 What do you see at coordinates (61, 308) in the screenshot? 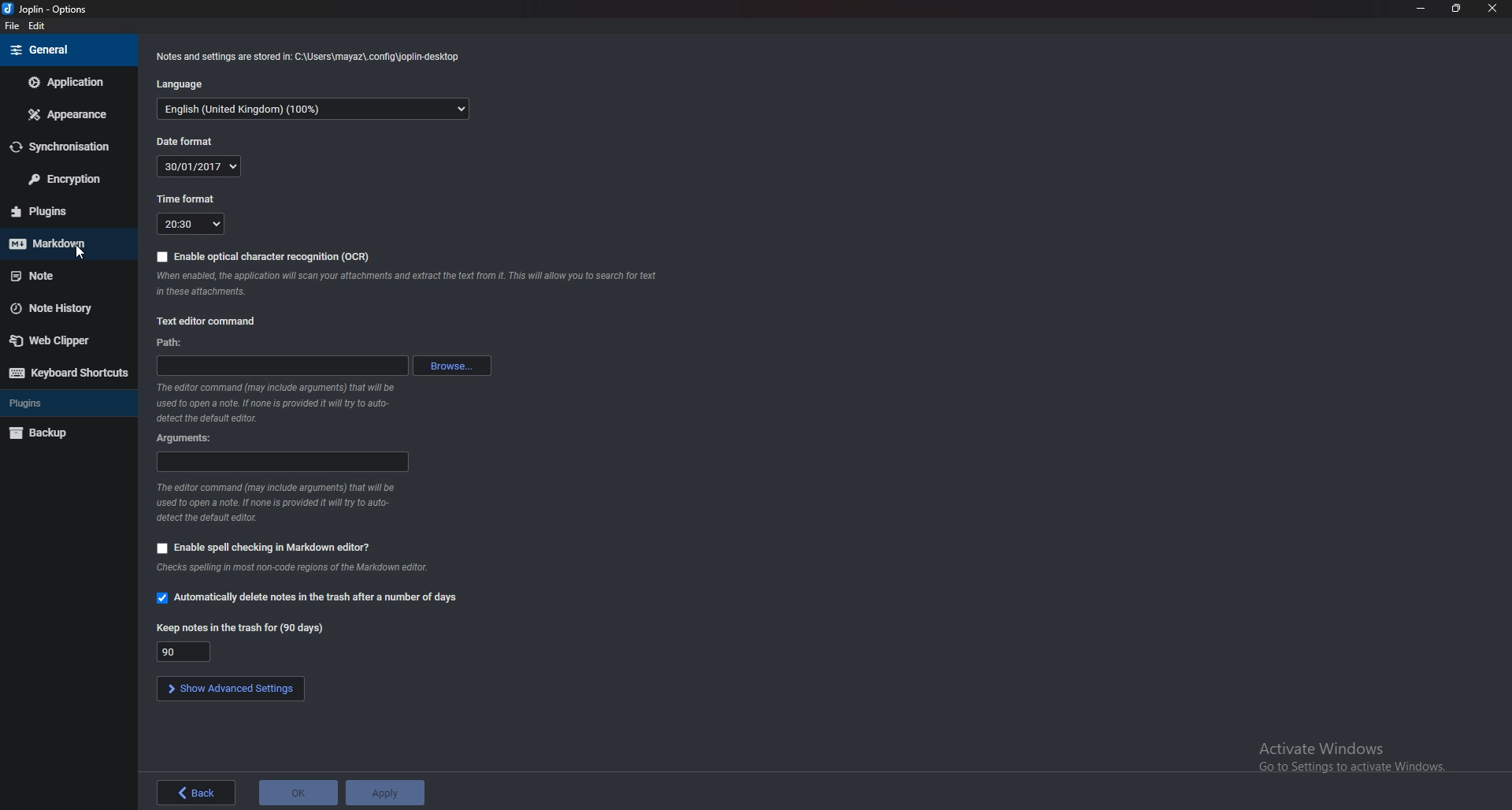
I see `Note history` at bounding box center [61, 308].